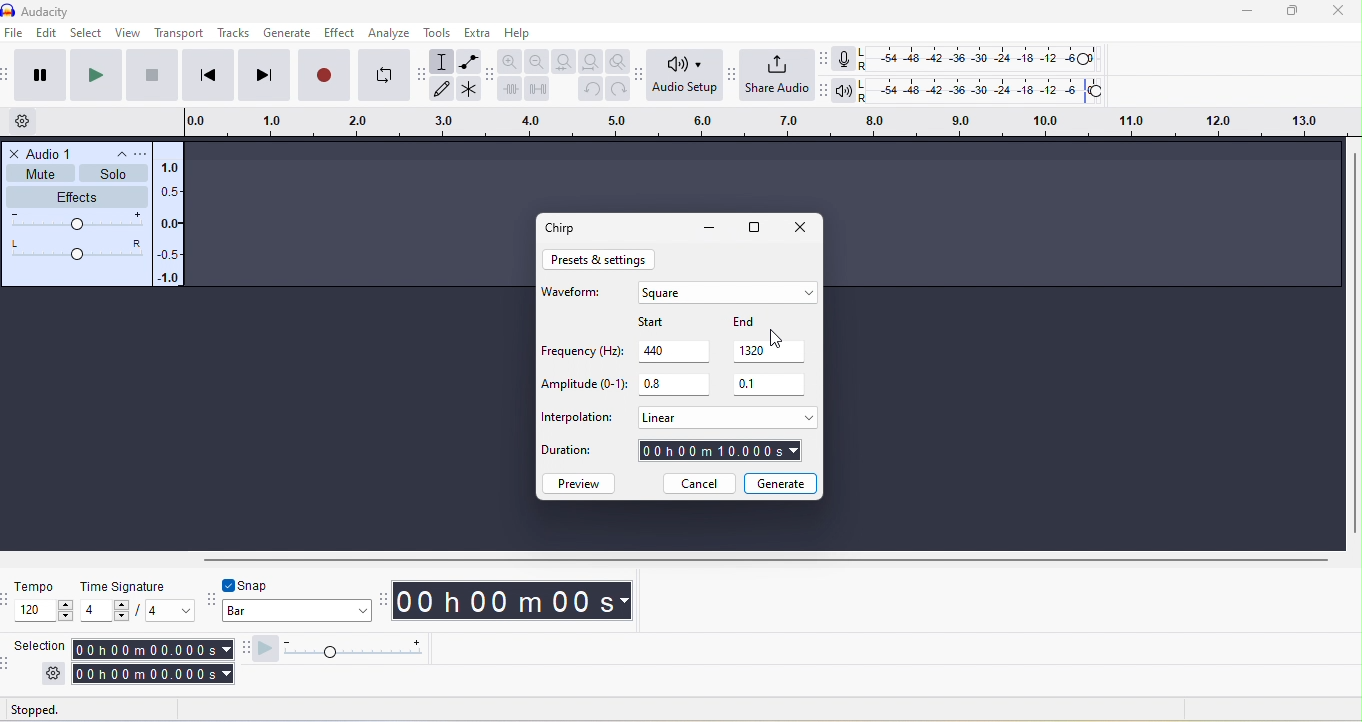  I want to click on 120, so click(45, 611).